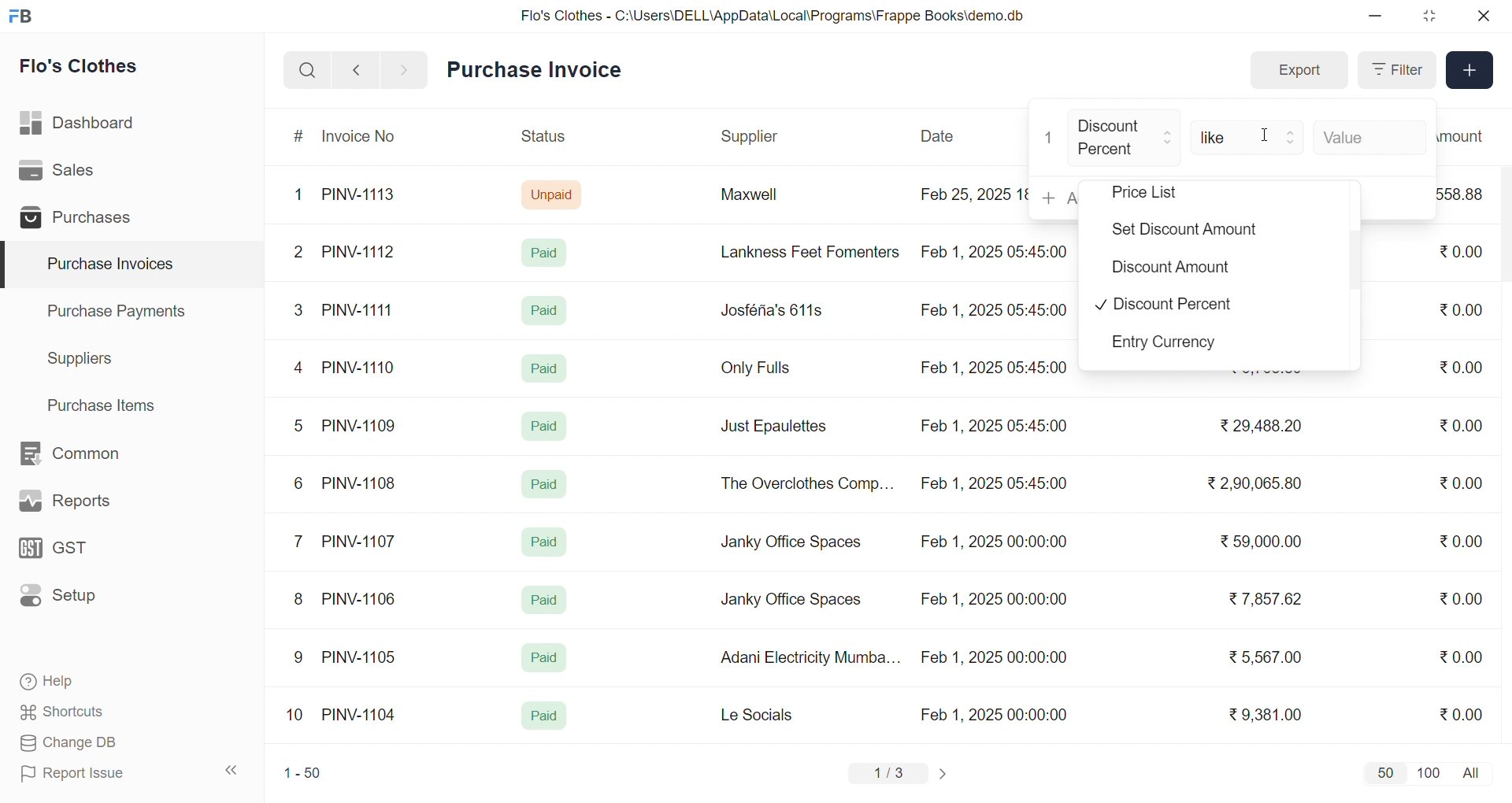  I want to click on Feb 25, 2025 18:16:25, so click(972, 194).